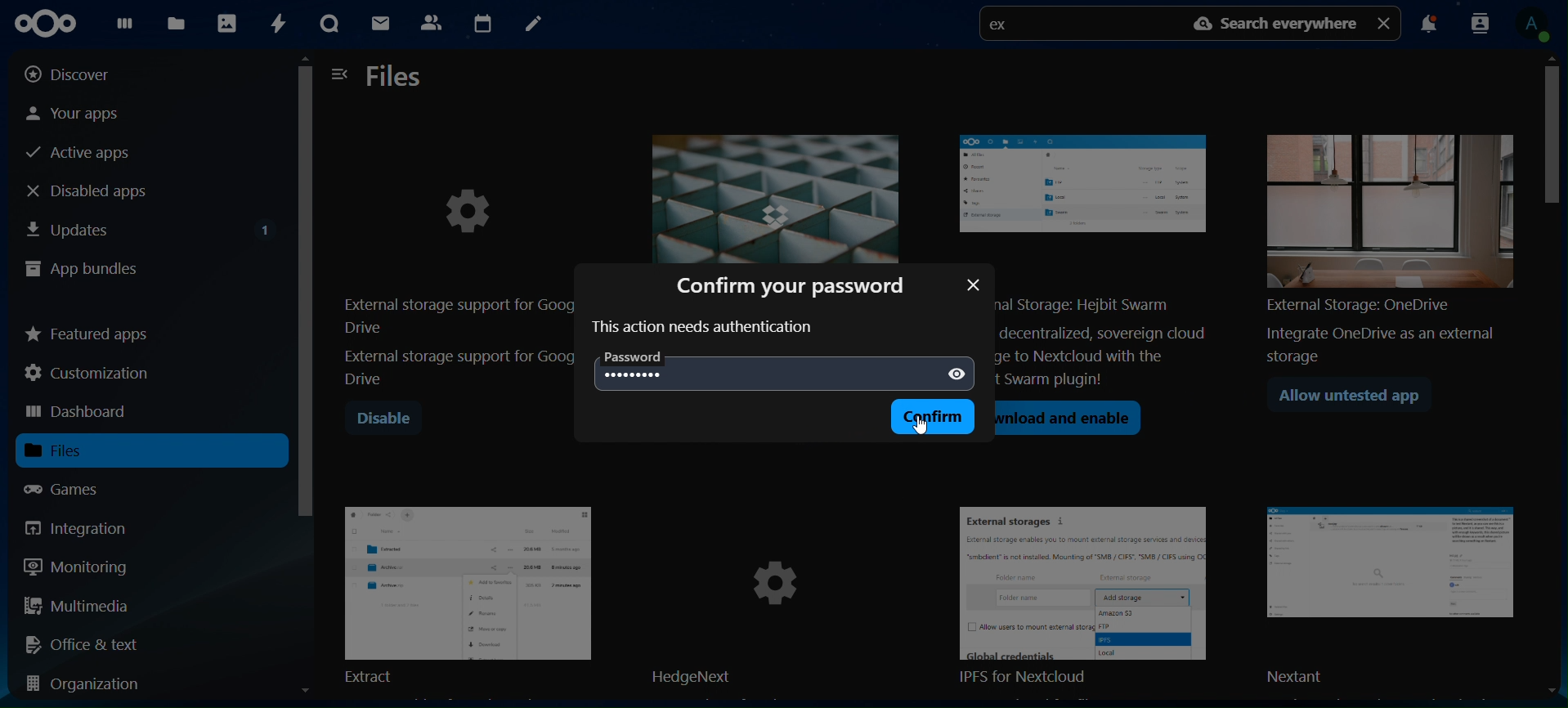 This screenshot has height=708, width=1568. Describe the element at coordinates (1093, 598) in the screenshot. I see `IPFS for nextcloud` at that location.